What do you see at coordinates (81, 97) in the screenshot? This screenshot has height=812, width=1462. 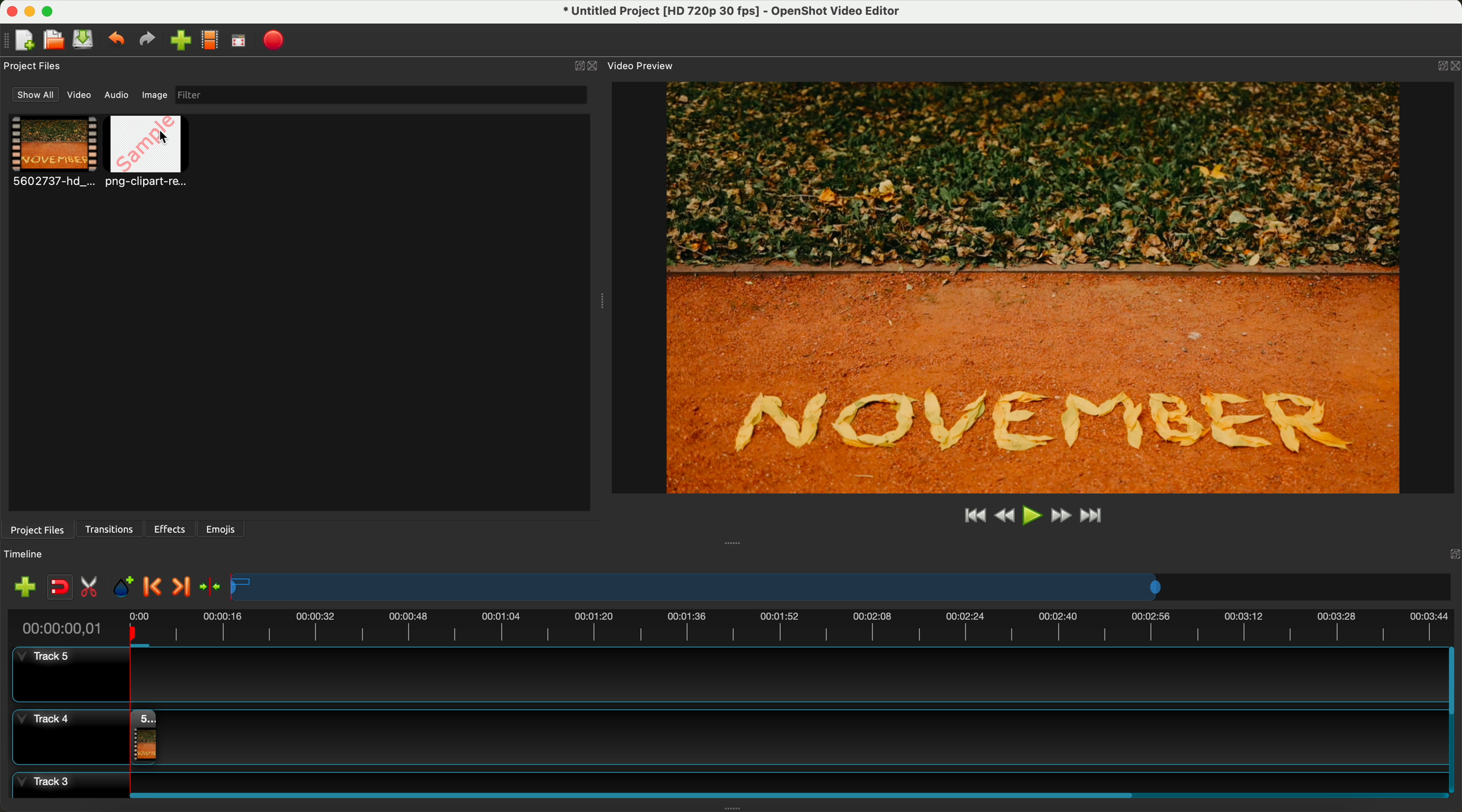 I see `video` at bounding box center [81, 97].